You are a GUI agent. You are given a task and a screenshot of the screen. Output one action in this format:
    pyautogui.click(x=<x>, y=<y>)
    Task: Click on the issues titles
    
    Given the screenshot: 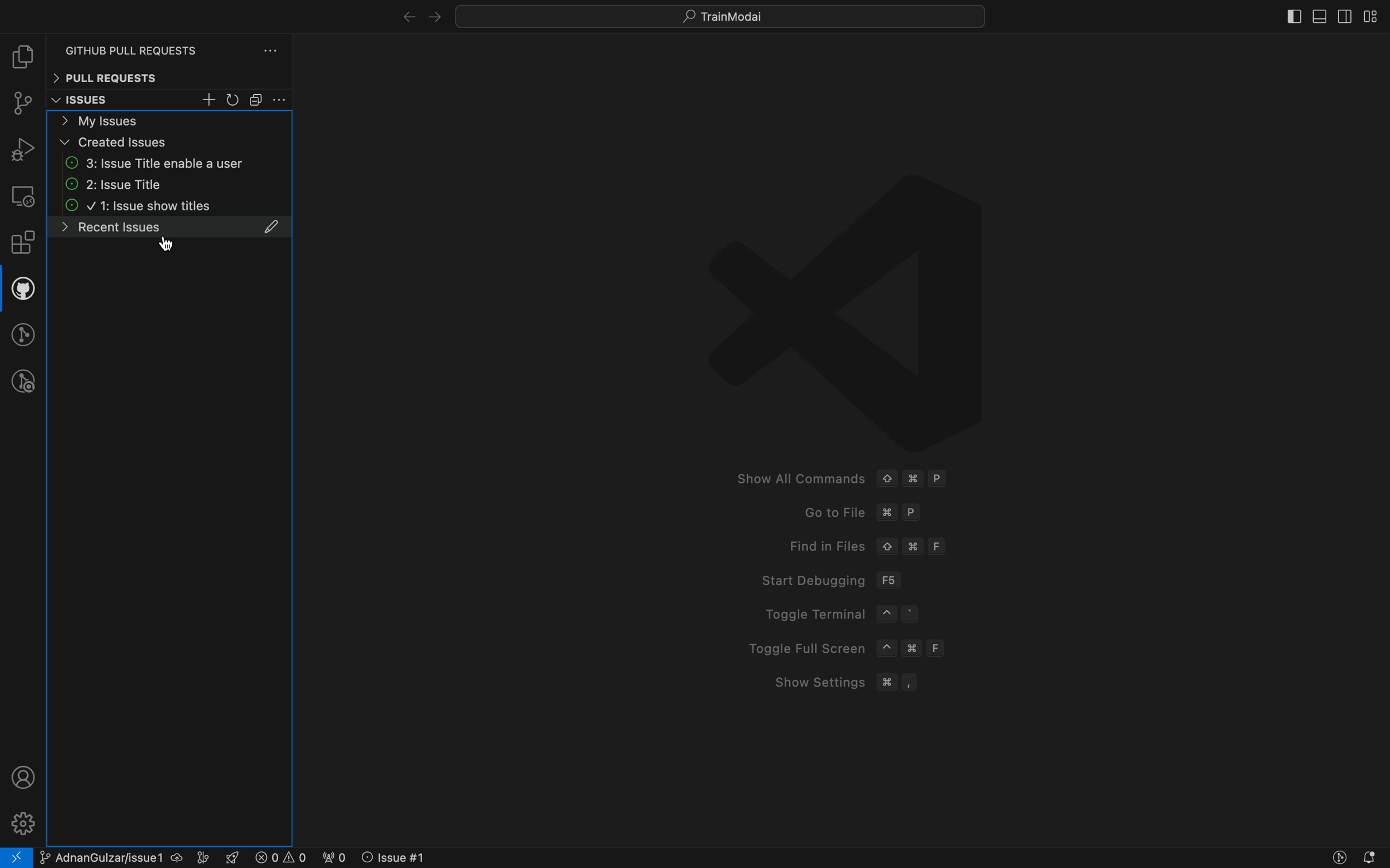 What is the action you would take?
    pyautogui.click(x=172, y=208)
    